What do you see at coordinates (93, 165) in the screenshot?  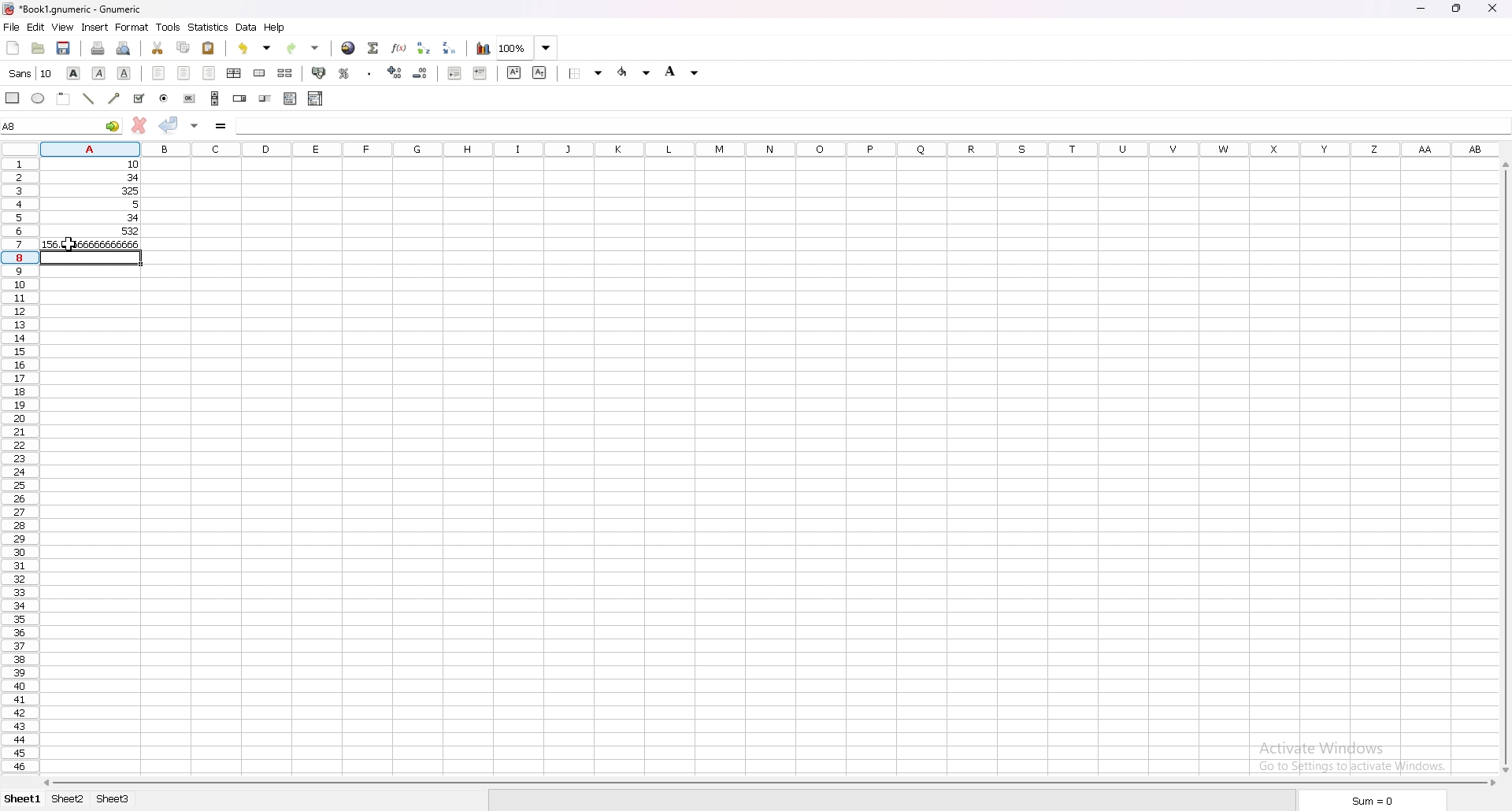 I see `10` at bounding box center [93, 165].